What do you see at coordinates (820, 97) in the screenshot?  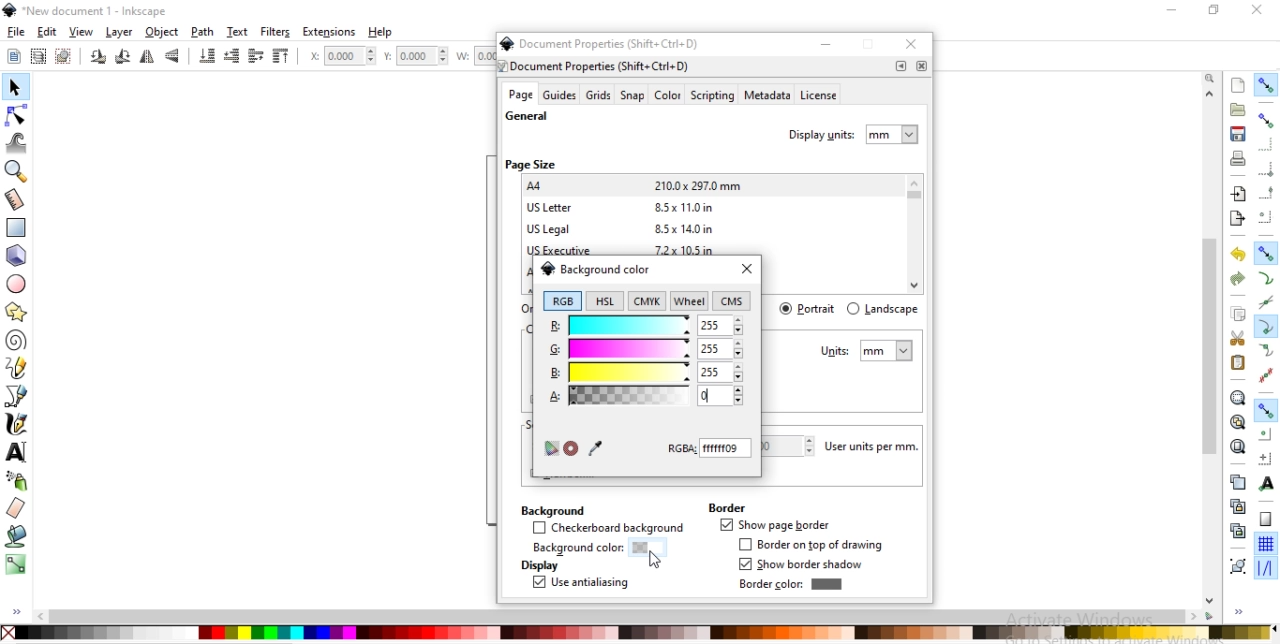 I see `license` at bounding box center [820, 97].